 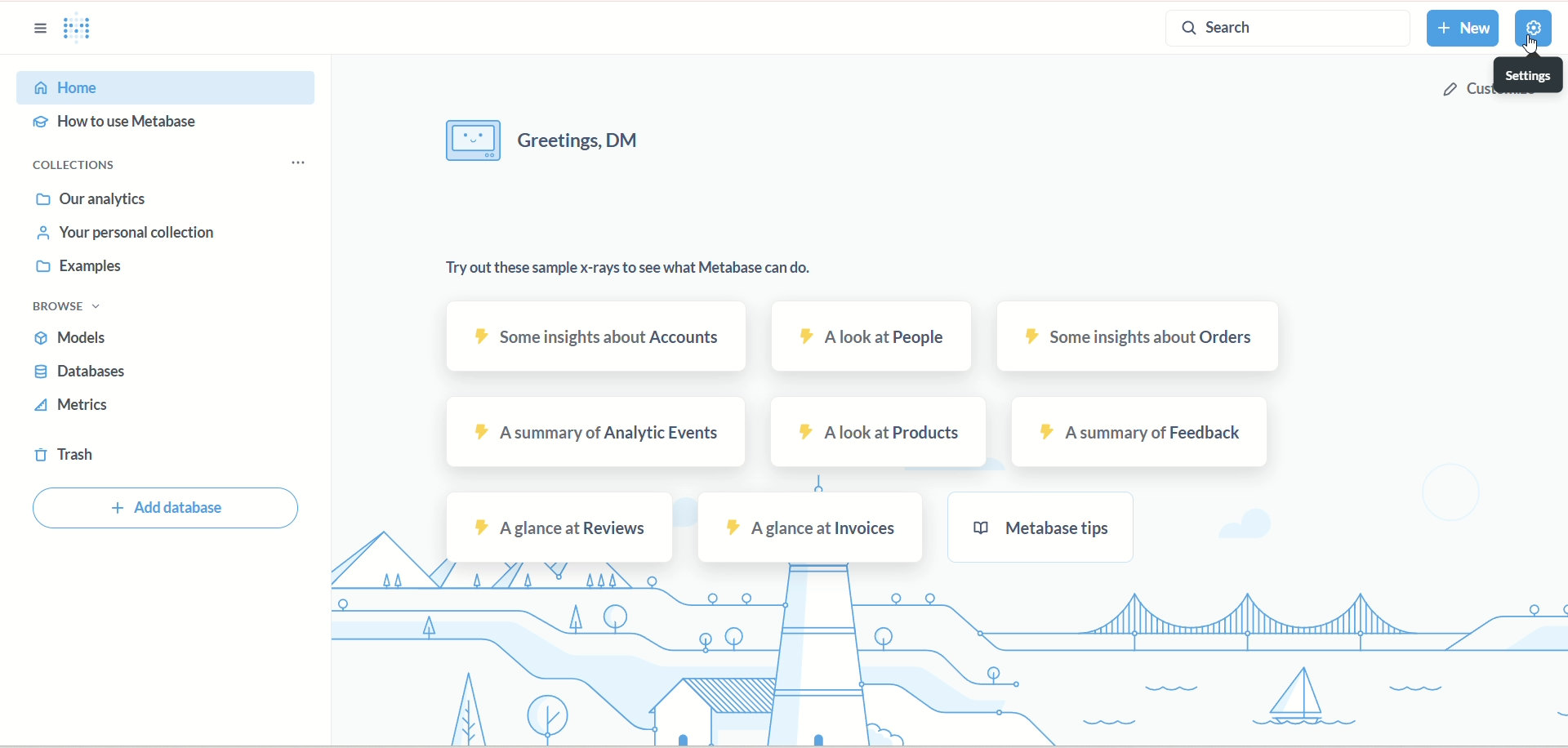 I want to click on trash, so click(x=63, y=456).